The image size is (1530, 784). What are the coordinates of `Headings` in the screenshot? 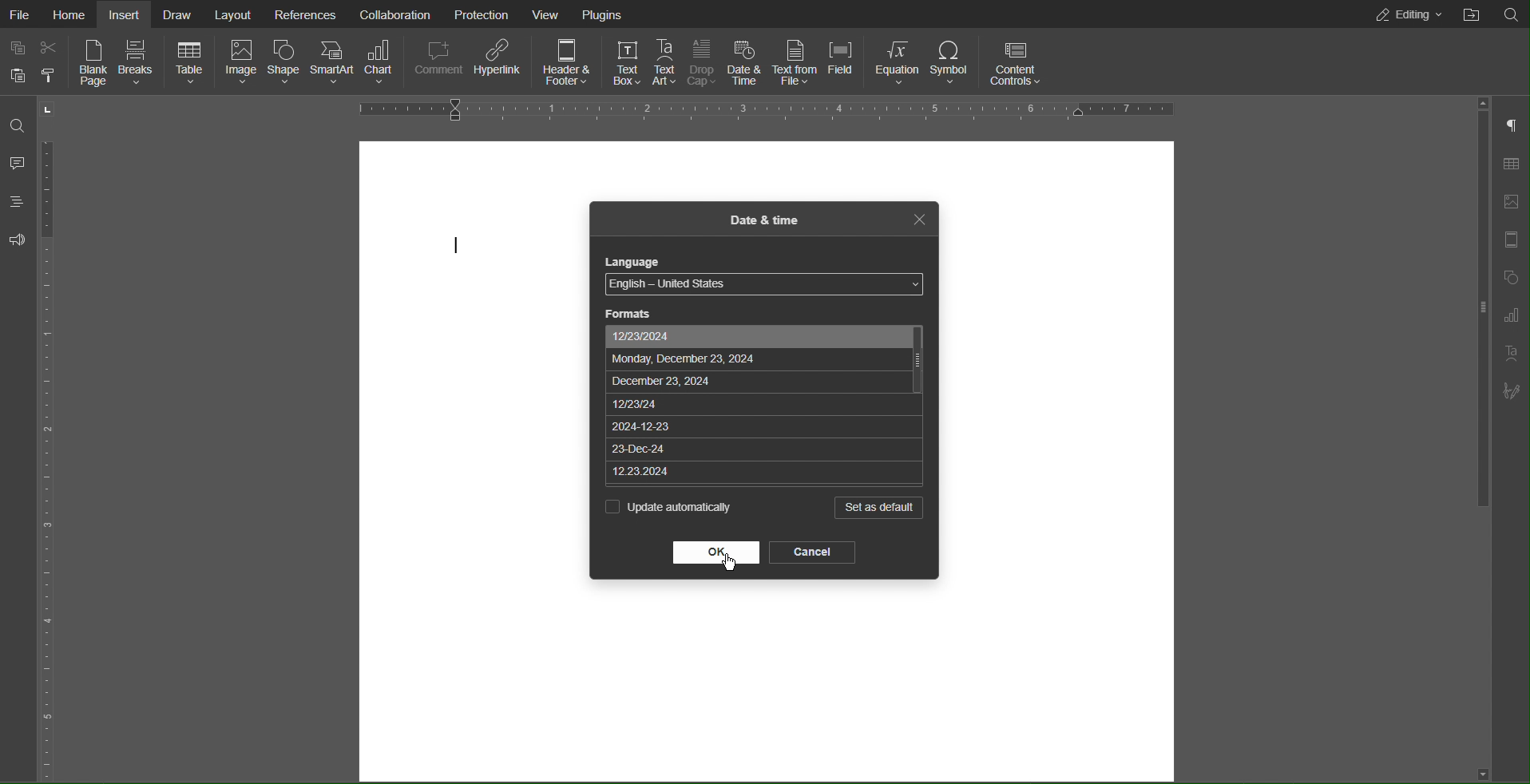 It's located at (18, 202).